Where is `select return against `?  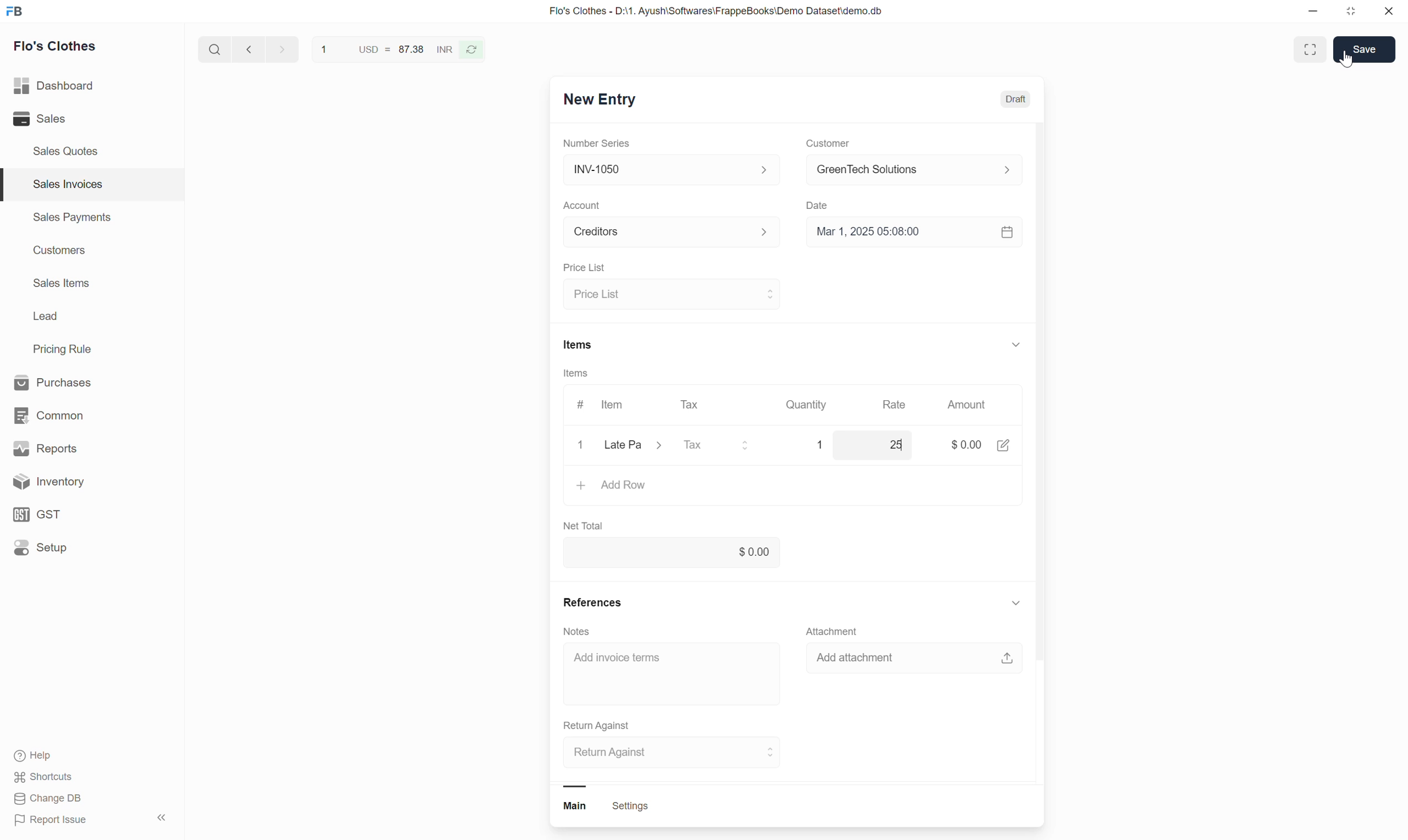
select return against  is located at coordinates (665, 753).